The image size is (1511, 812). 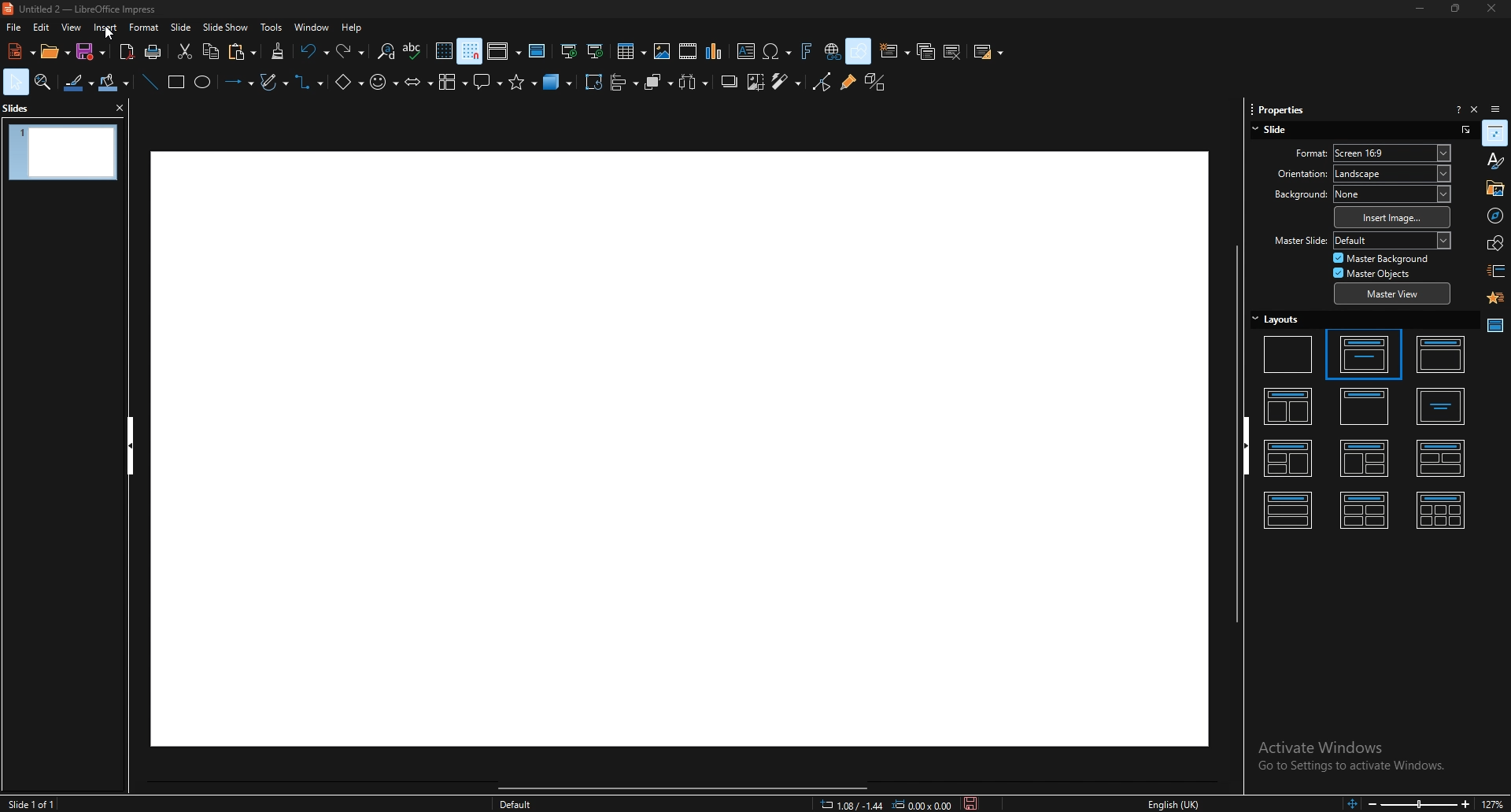 I want to click on zoom out, so click(x=1369, y=804).